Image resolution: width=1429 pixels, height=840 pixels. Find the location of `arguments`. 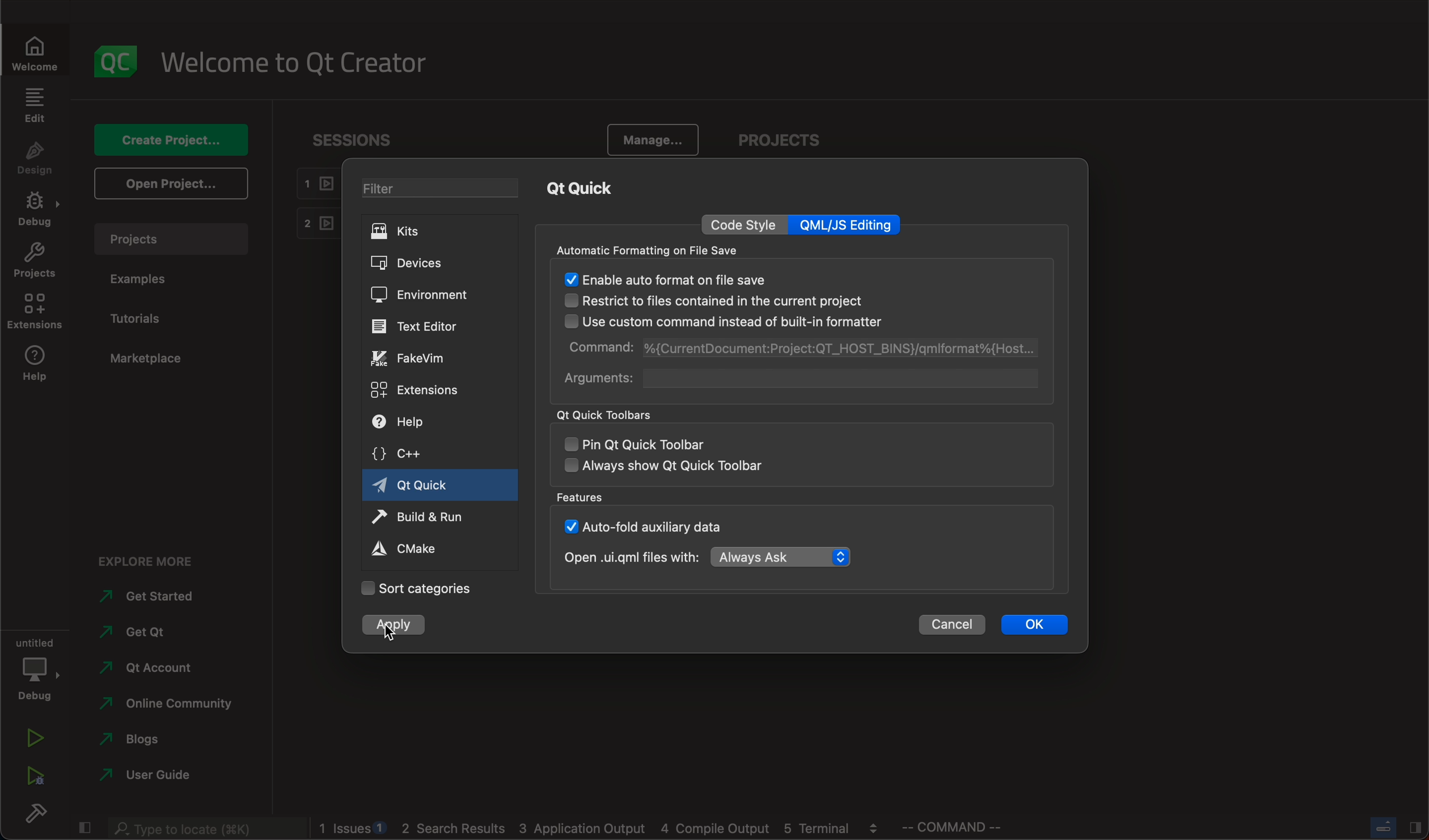

arguments is located at coordinates (803, 377).